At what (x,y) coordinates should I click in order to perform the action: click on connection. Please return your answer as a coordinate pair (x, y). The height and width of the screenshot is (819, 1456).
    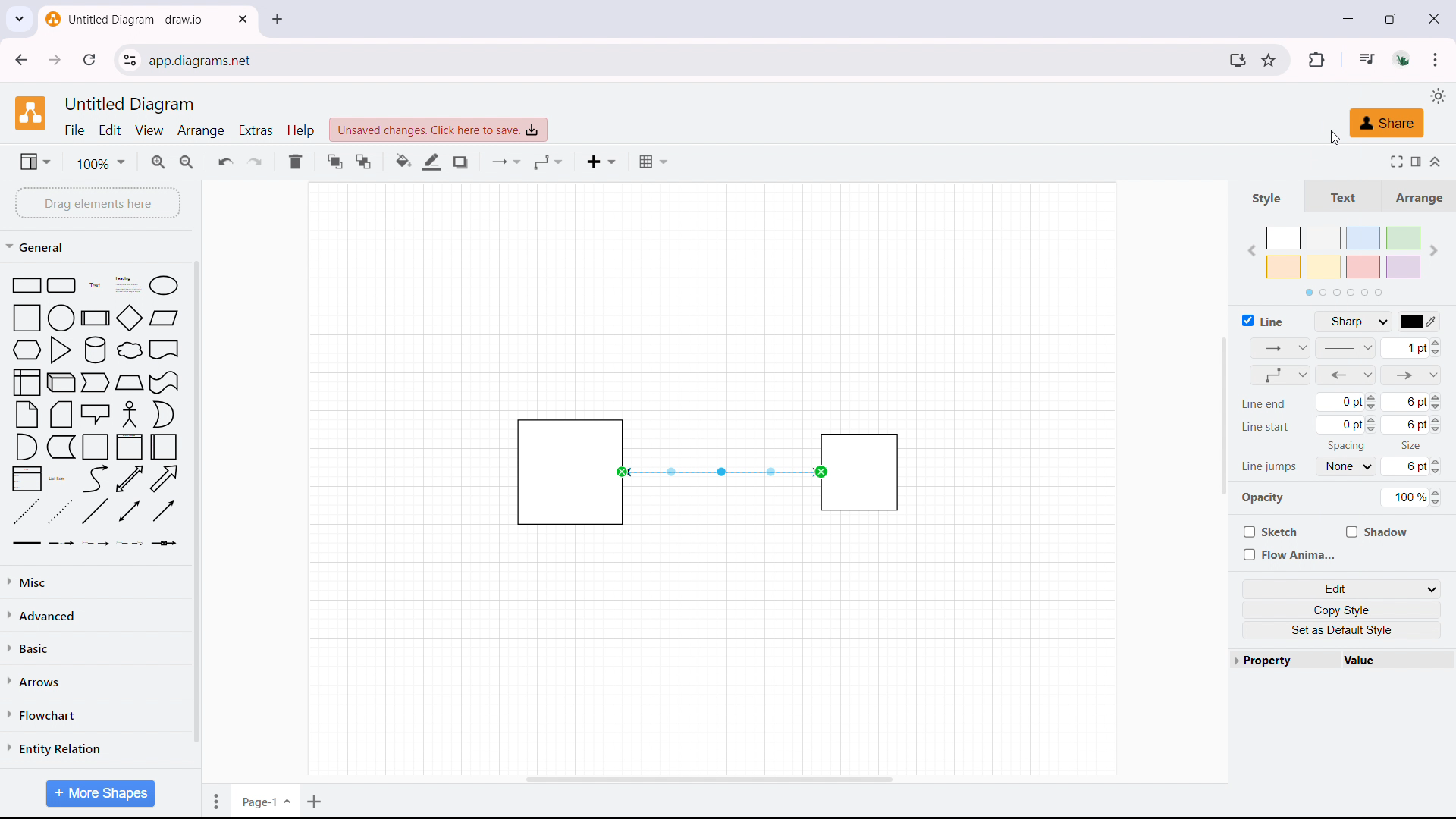
    Looking at the image, I should click on (1282, 348).